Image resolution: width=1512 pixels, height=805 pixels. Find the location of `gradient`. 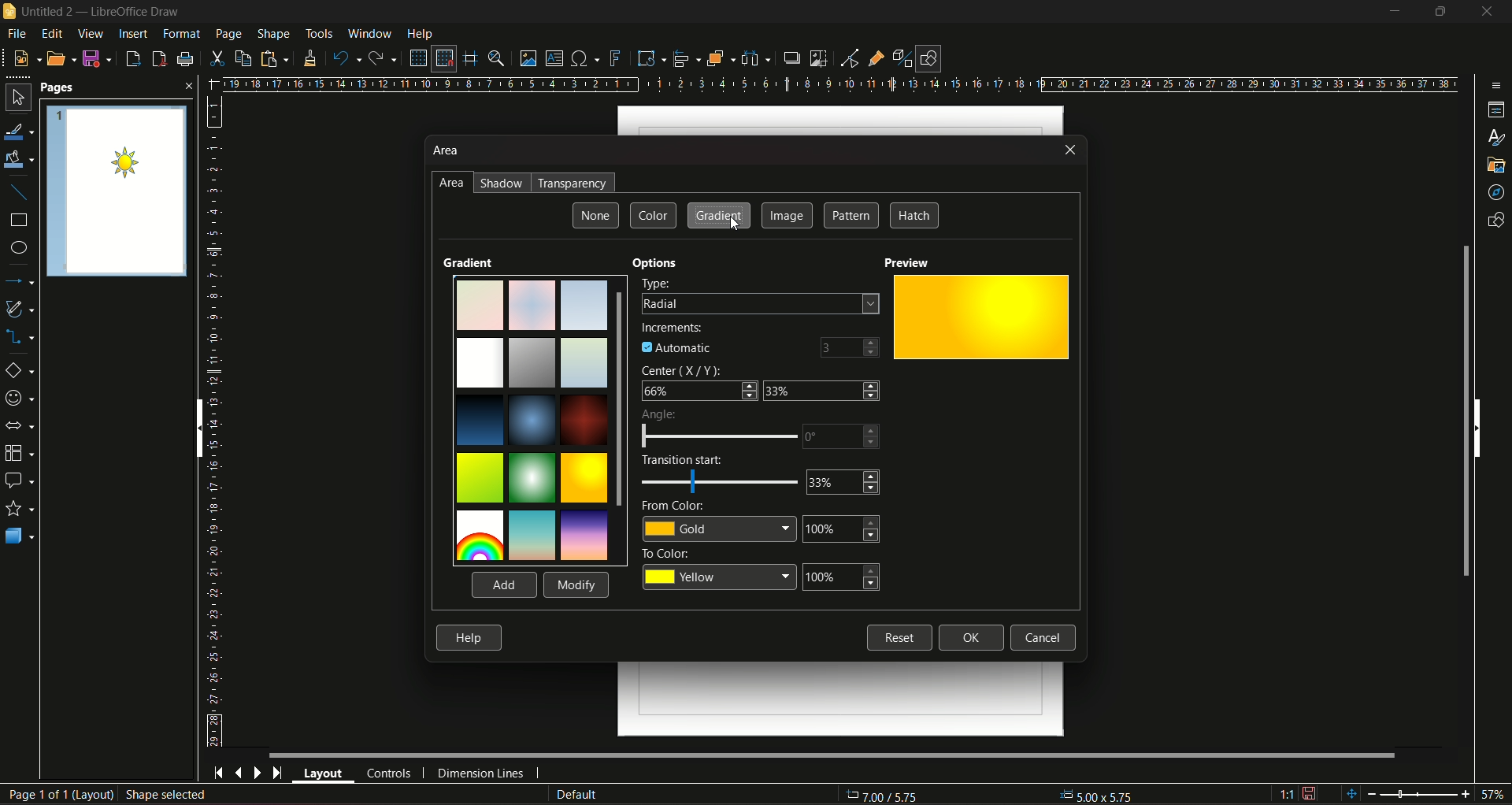

gradient is located at coordinates (721, 214).